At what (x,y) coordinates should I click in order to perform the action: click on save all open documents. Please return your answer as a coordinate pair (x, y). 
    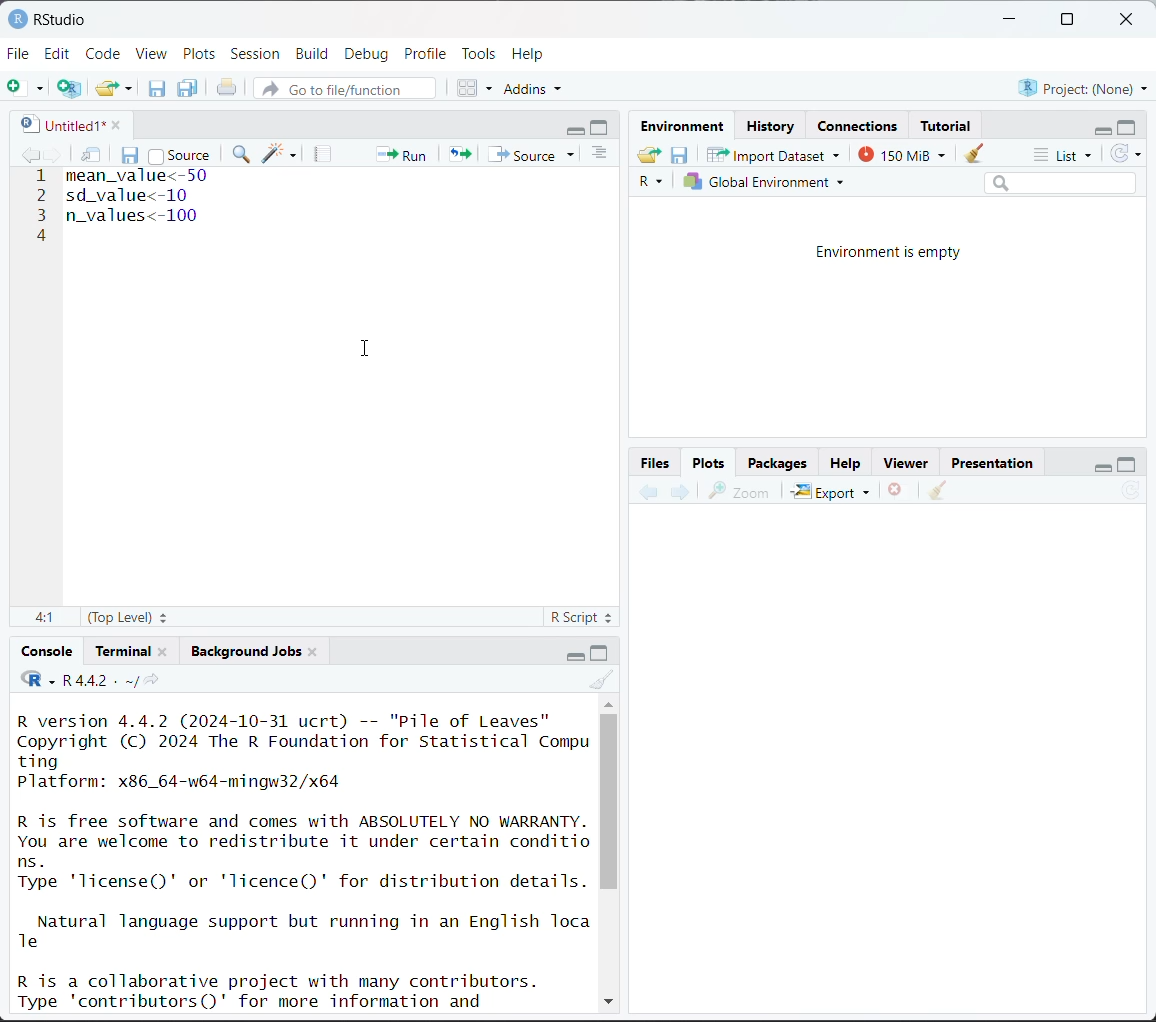
    Looking at the image, I should click on (189, 88).